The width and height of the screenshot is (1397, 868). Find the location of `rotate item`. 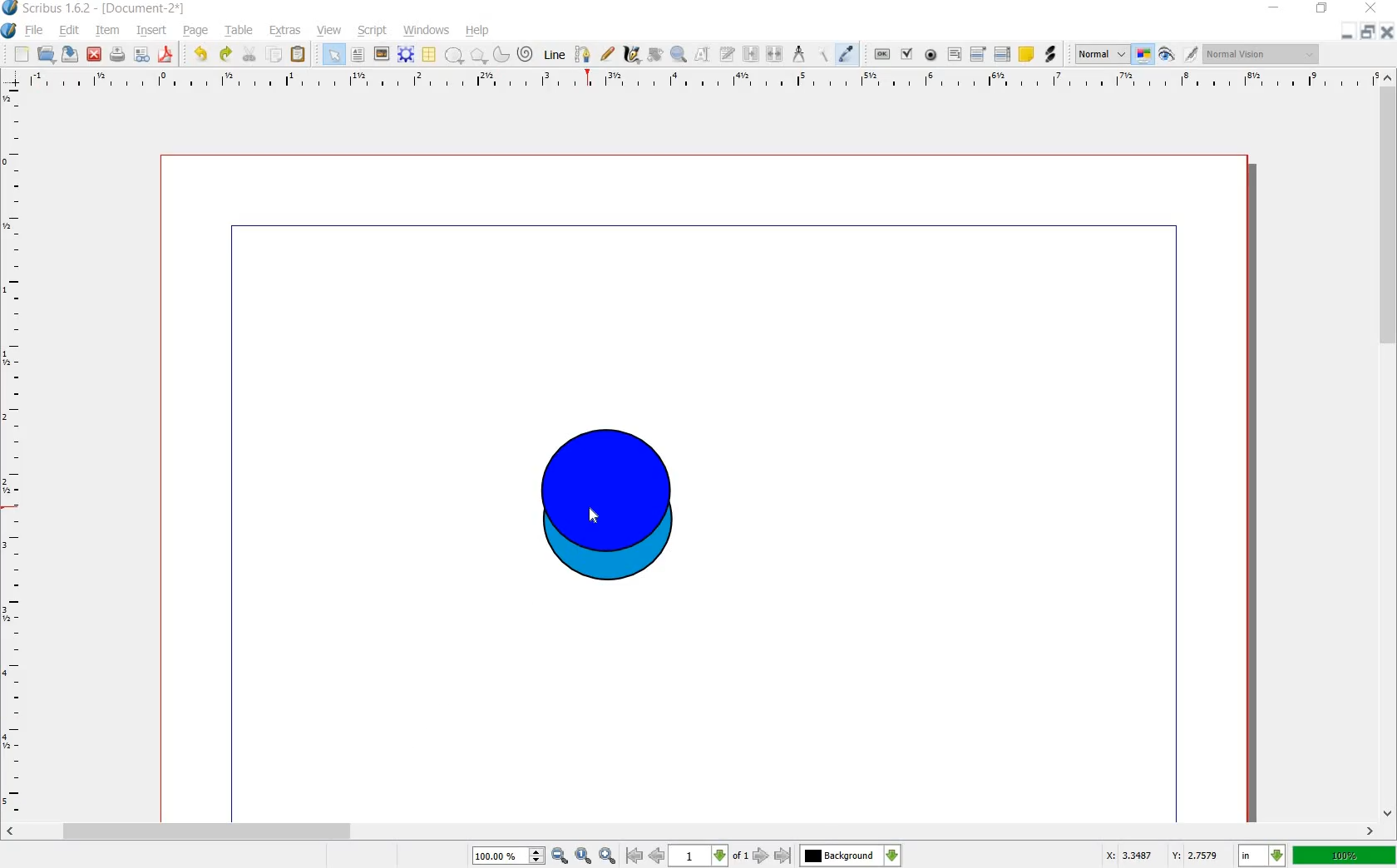

rotate item is located at coordinates (655, 55).